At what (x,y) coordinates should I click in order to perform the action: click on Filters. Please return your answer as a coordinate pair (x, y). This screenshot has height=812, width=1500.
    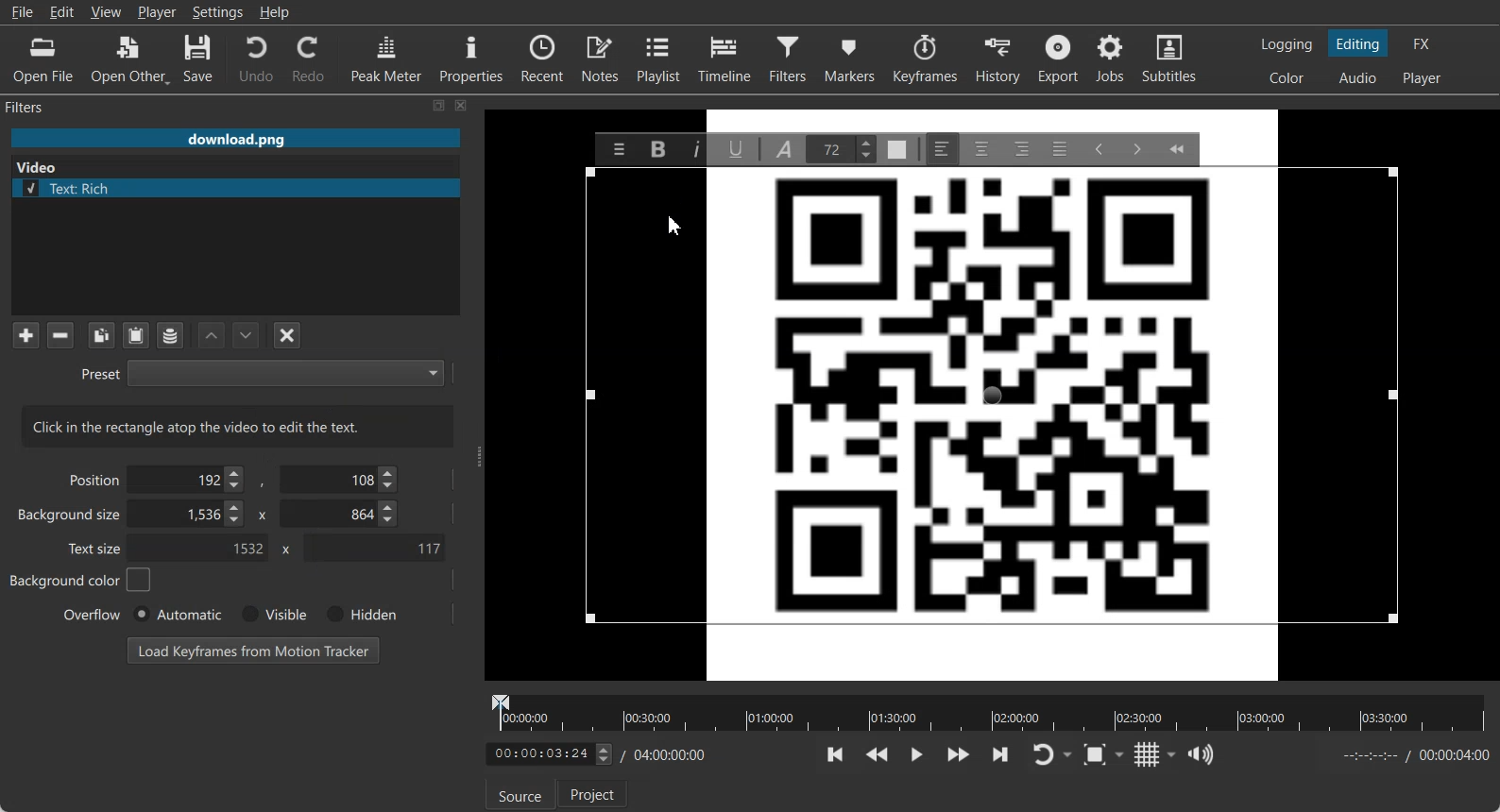
    Looking at the image, I should click on (791, 58).